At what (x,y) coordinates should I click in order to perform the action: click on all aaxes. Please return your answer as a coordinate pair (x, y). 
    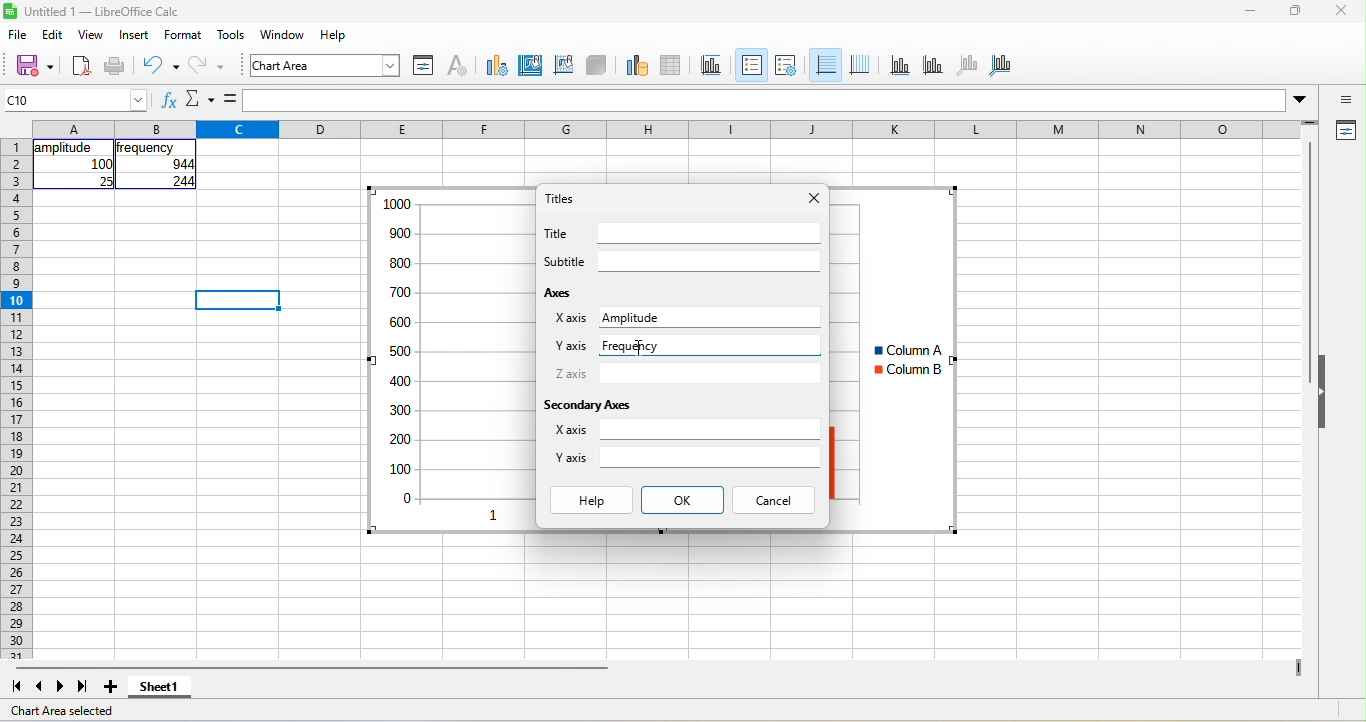
    Looking at the image, I should click on (1000, 66).